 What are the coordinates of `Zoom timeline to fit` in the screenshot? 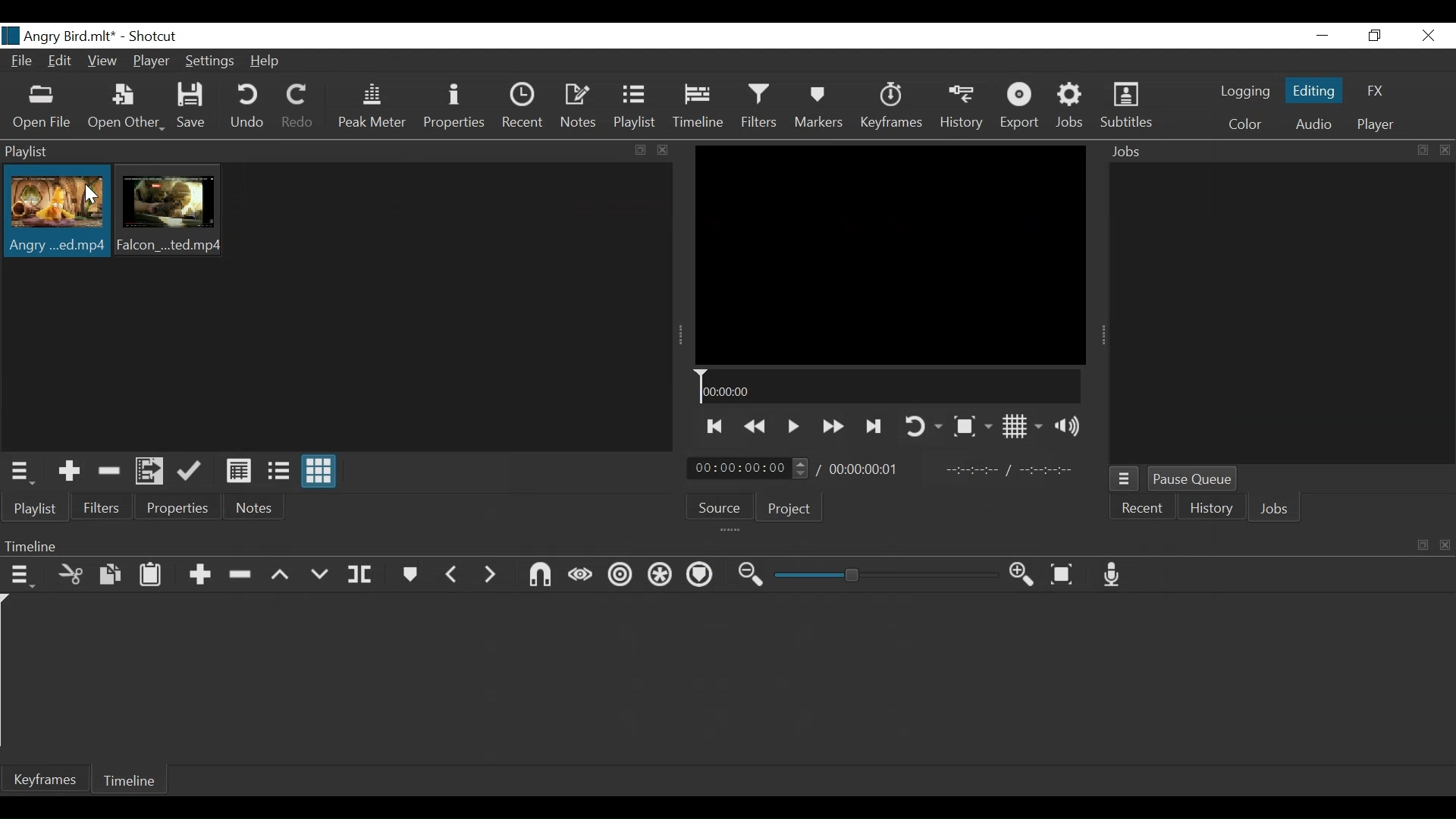 It's located at (1065, 575).